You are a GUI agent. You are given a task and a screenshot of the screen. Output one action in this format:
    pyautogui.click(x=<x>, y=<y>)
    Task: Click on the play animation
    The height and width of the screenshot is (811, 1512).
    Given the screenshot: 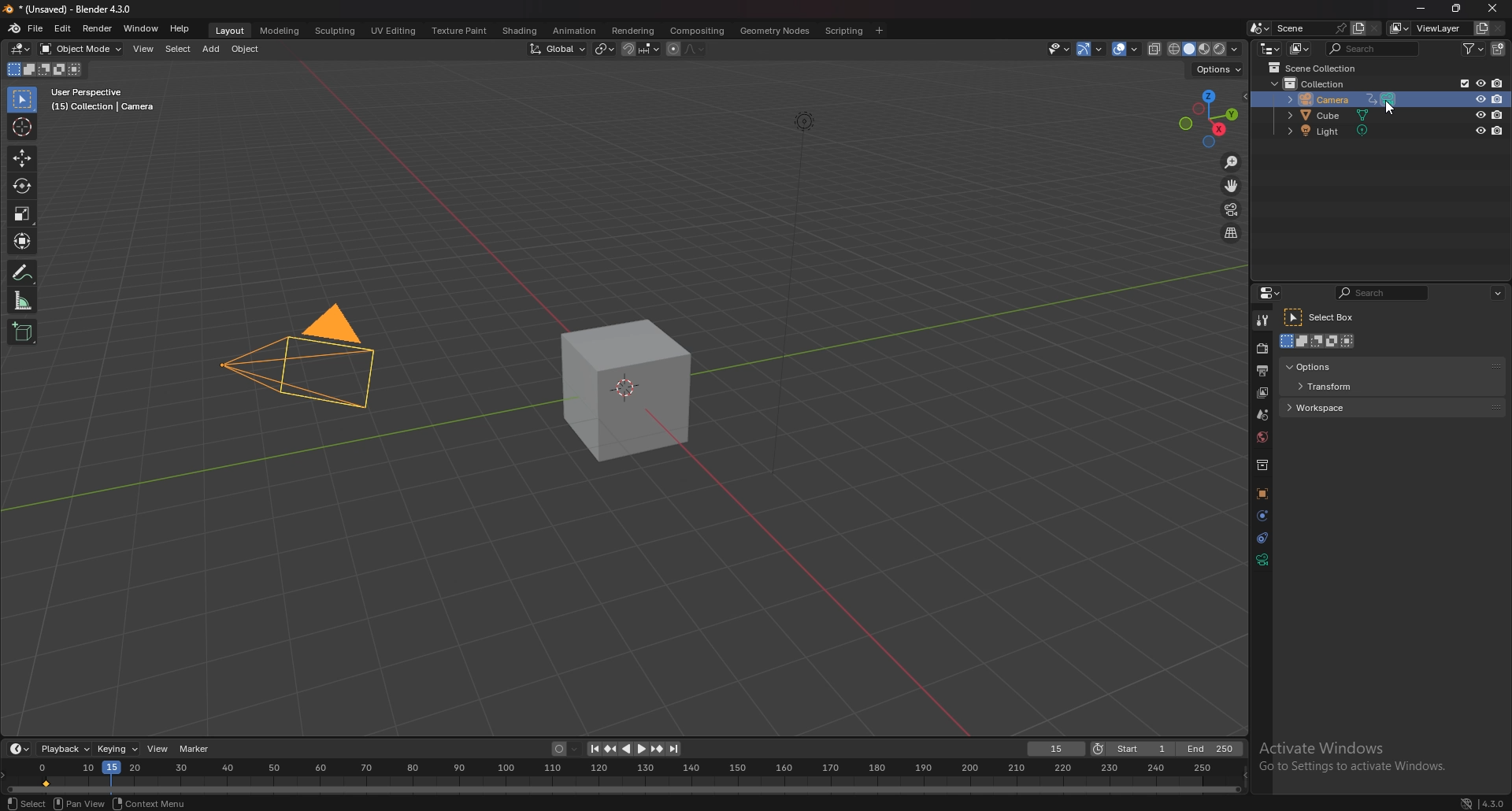 What is the action you would take?
    pyautogui.click(x=635, y=749)
    